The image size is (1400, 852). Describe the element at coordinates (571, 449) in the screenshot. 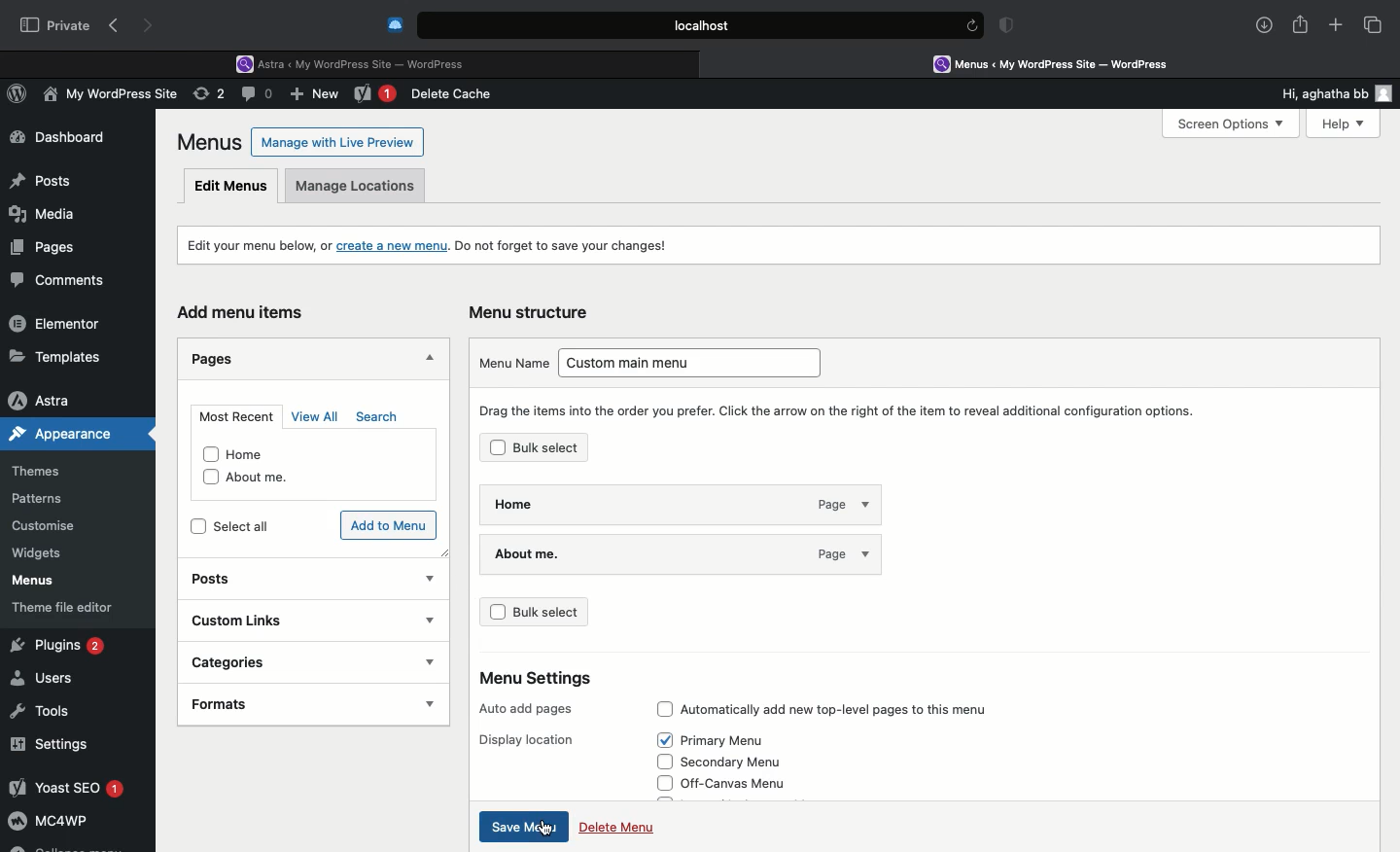

I see `Bulk select` at that location.